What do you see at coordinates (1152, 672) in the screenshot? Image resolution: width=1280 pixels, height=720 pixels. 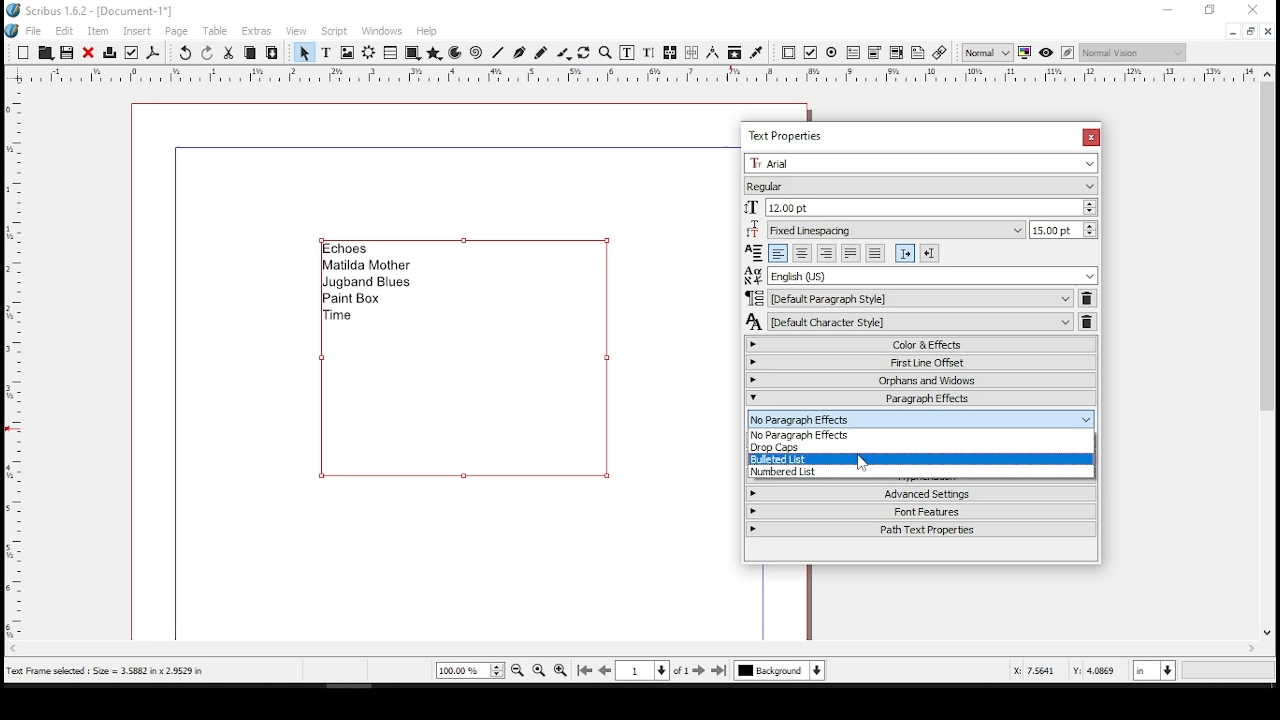 I see `units` at bounding box center [1152, 672].